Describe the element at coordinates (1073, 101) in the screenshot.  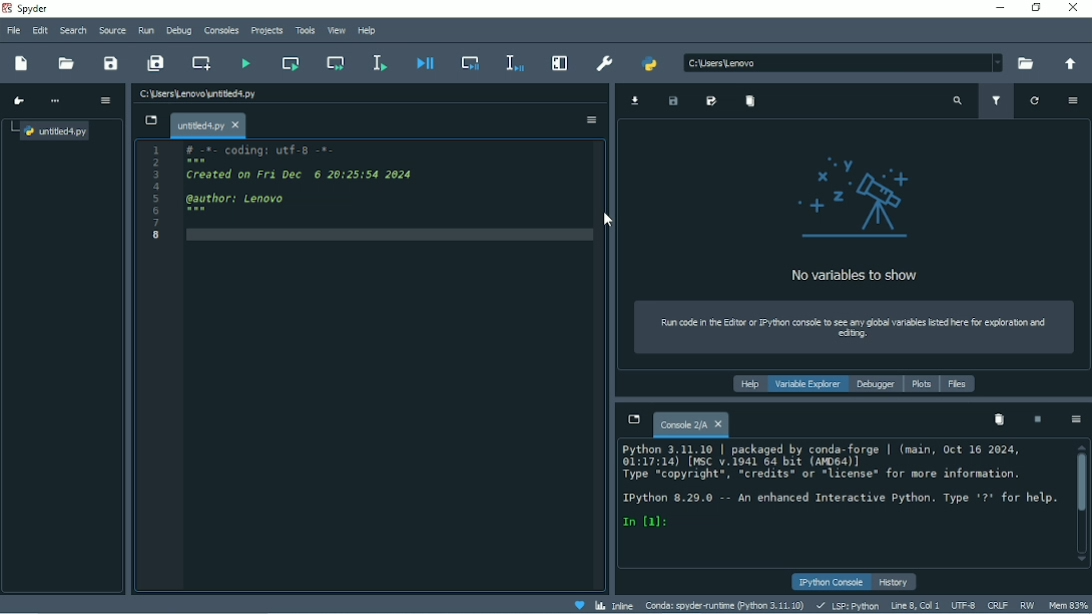
I see `Options` at that location.